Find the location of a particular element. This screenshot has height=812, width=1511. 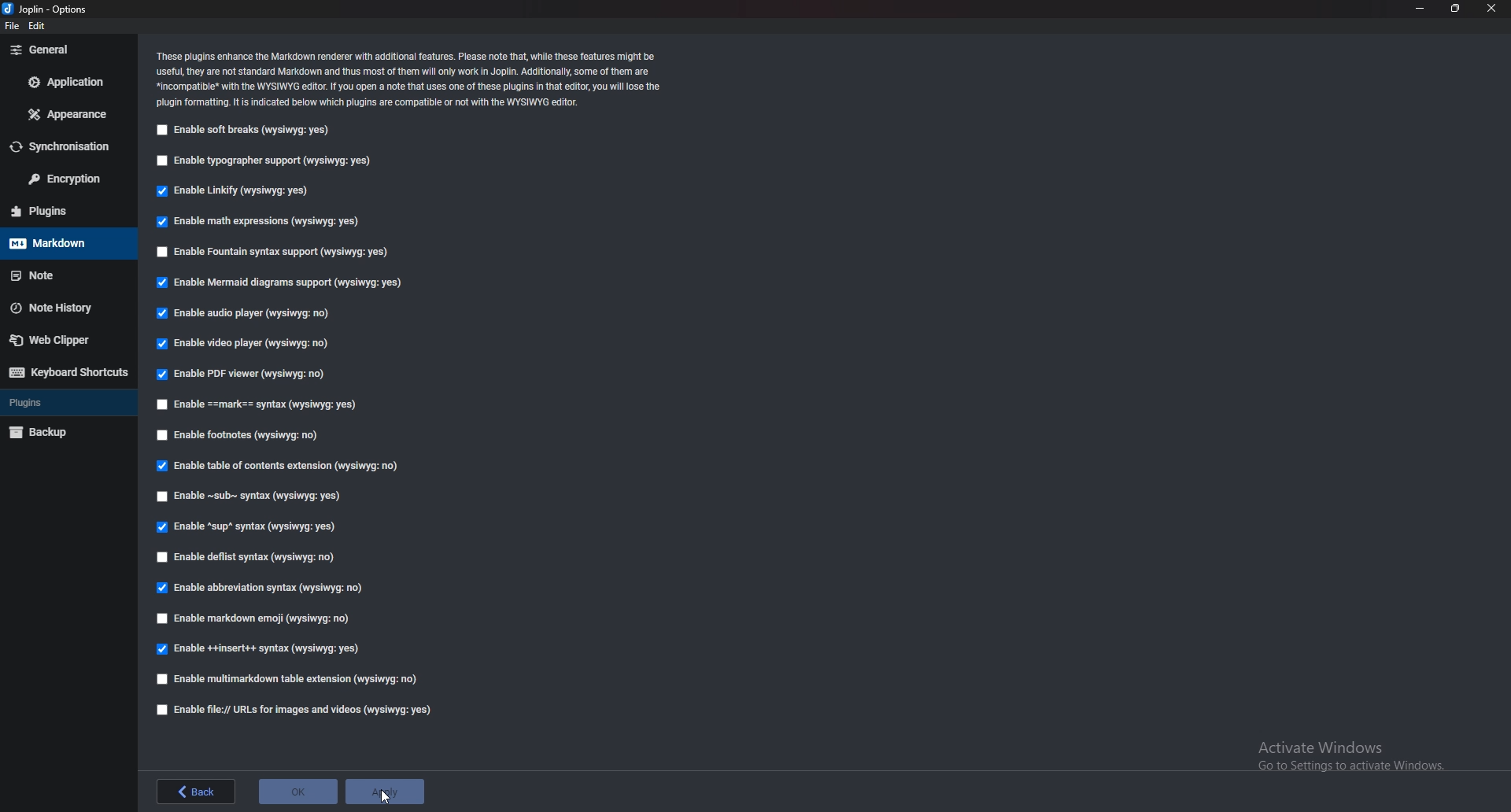

Application is located at coordinates (70, 80).